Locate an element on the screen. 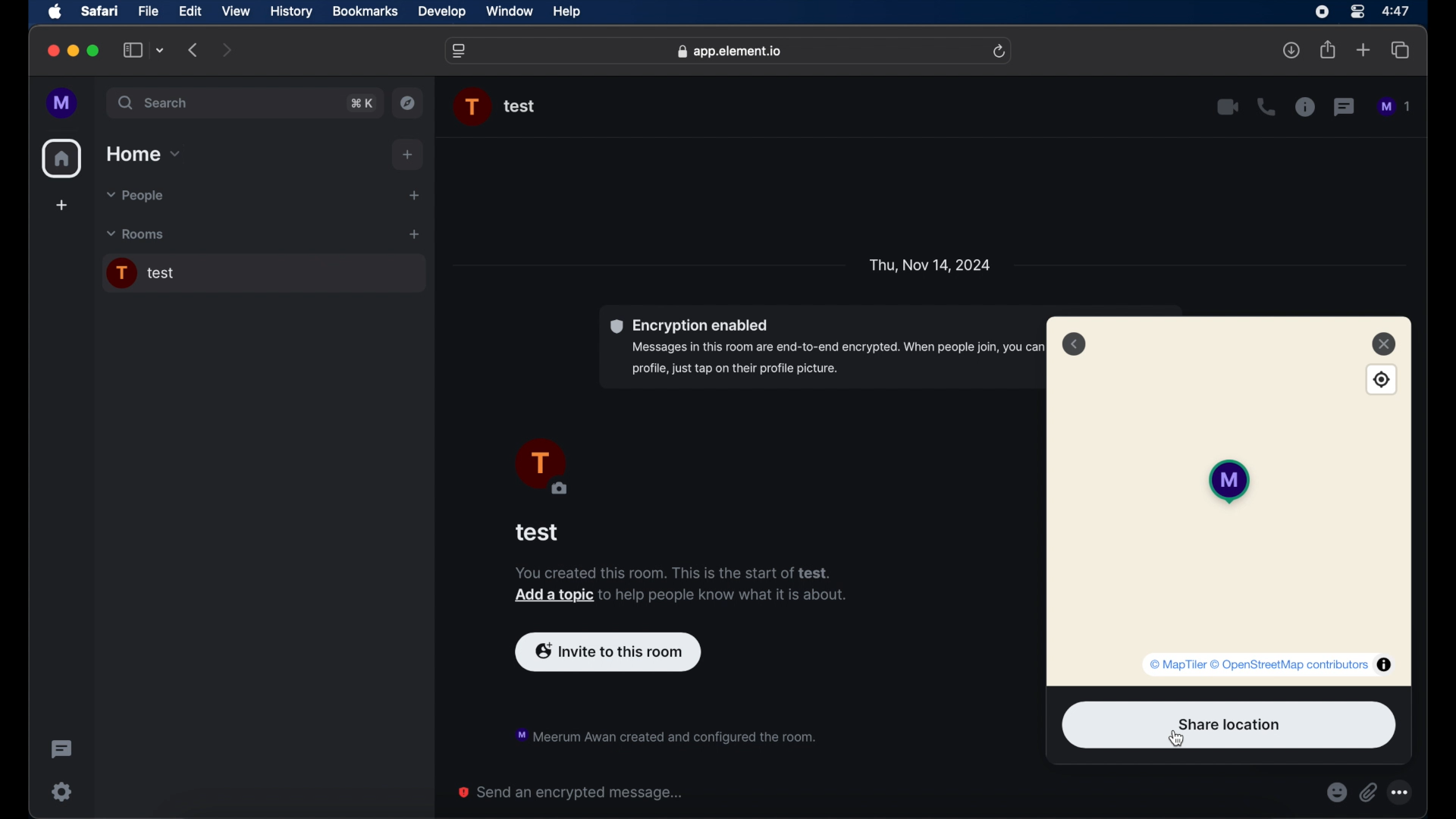 The width and height of the screenshot is (1456, 819). website settings is located at coordinates (460, 51).